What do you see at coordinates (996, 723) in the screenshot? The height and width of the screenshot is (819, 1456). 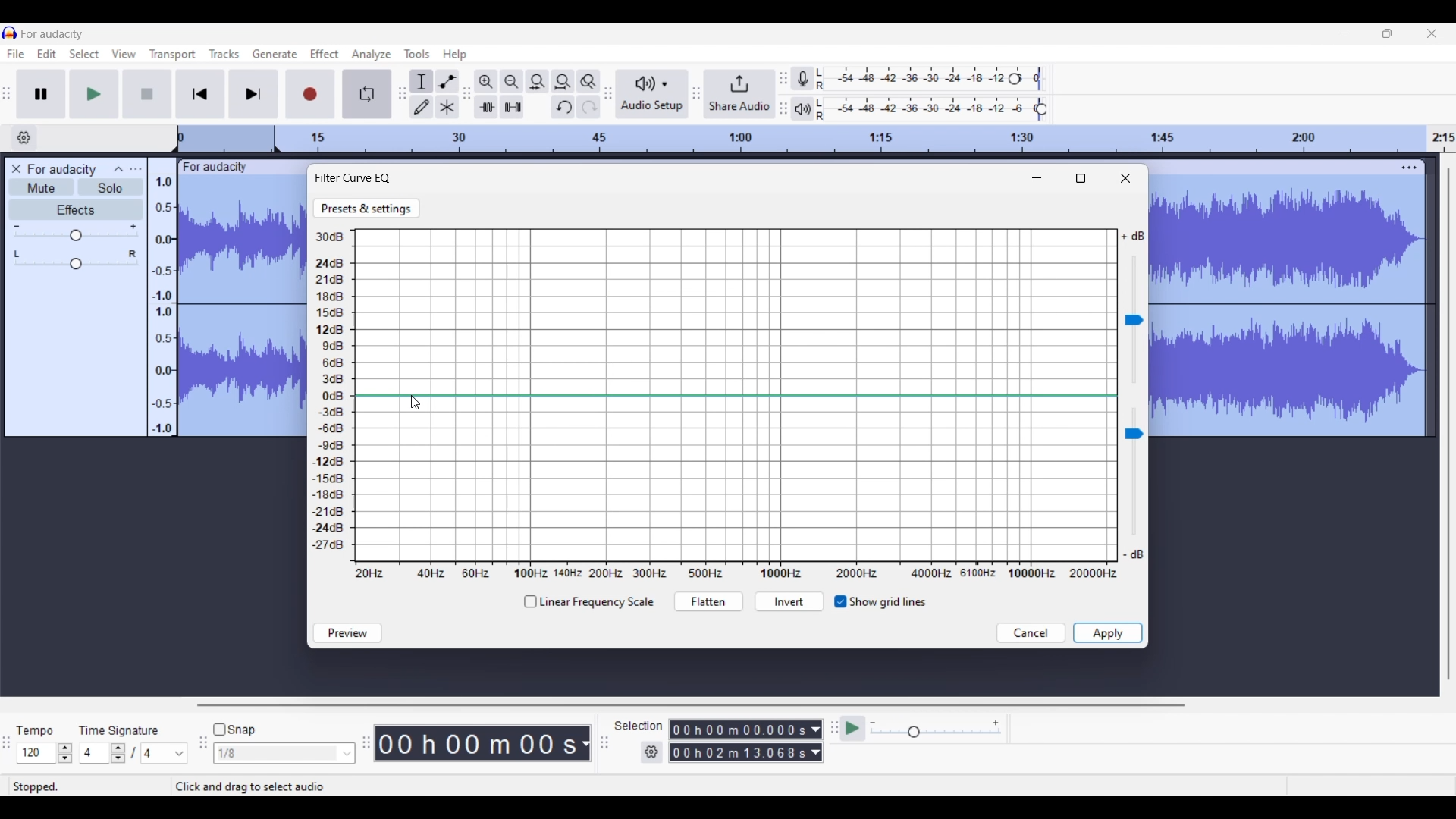 I see `Max. playback speed` at bounding box center [996, 723].